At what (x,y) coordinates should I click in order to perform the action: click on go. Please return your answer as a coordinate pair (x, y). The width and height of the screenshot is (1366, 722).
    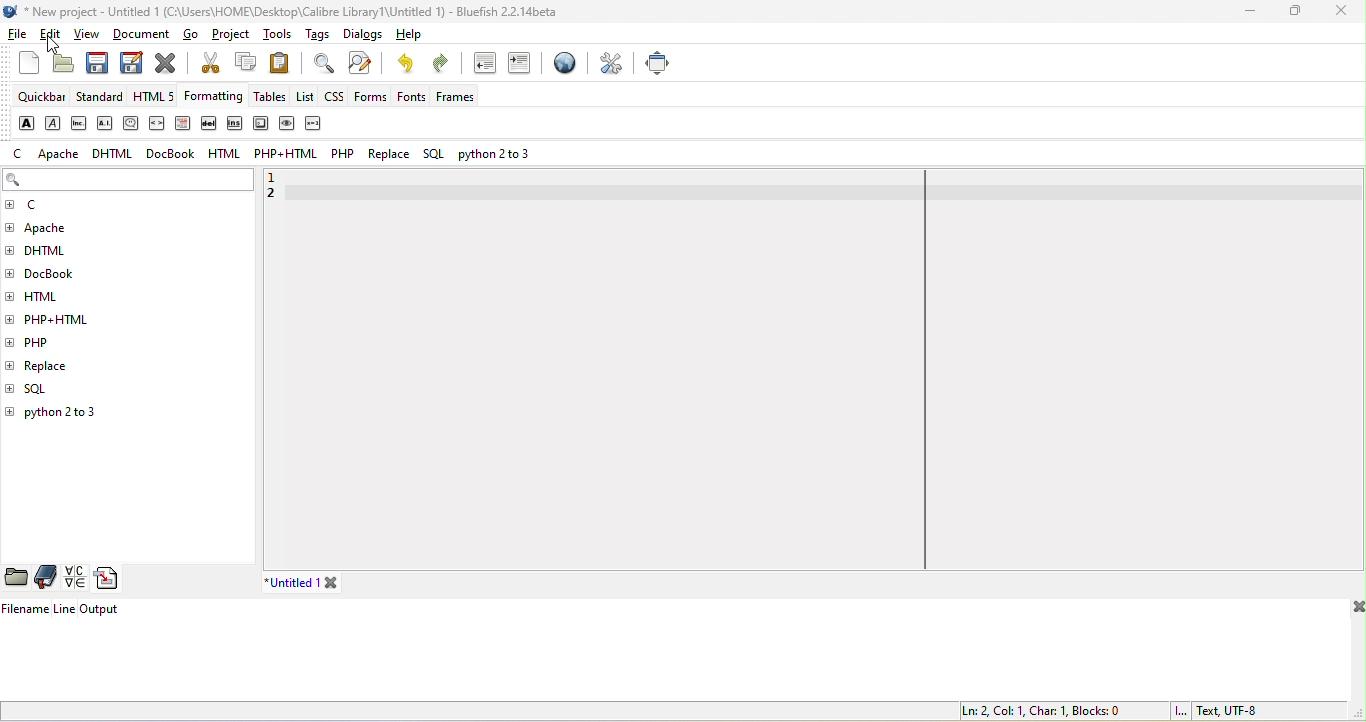
    Looking at the image, I should click on (197, 37).